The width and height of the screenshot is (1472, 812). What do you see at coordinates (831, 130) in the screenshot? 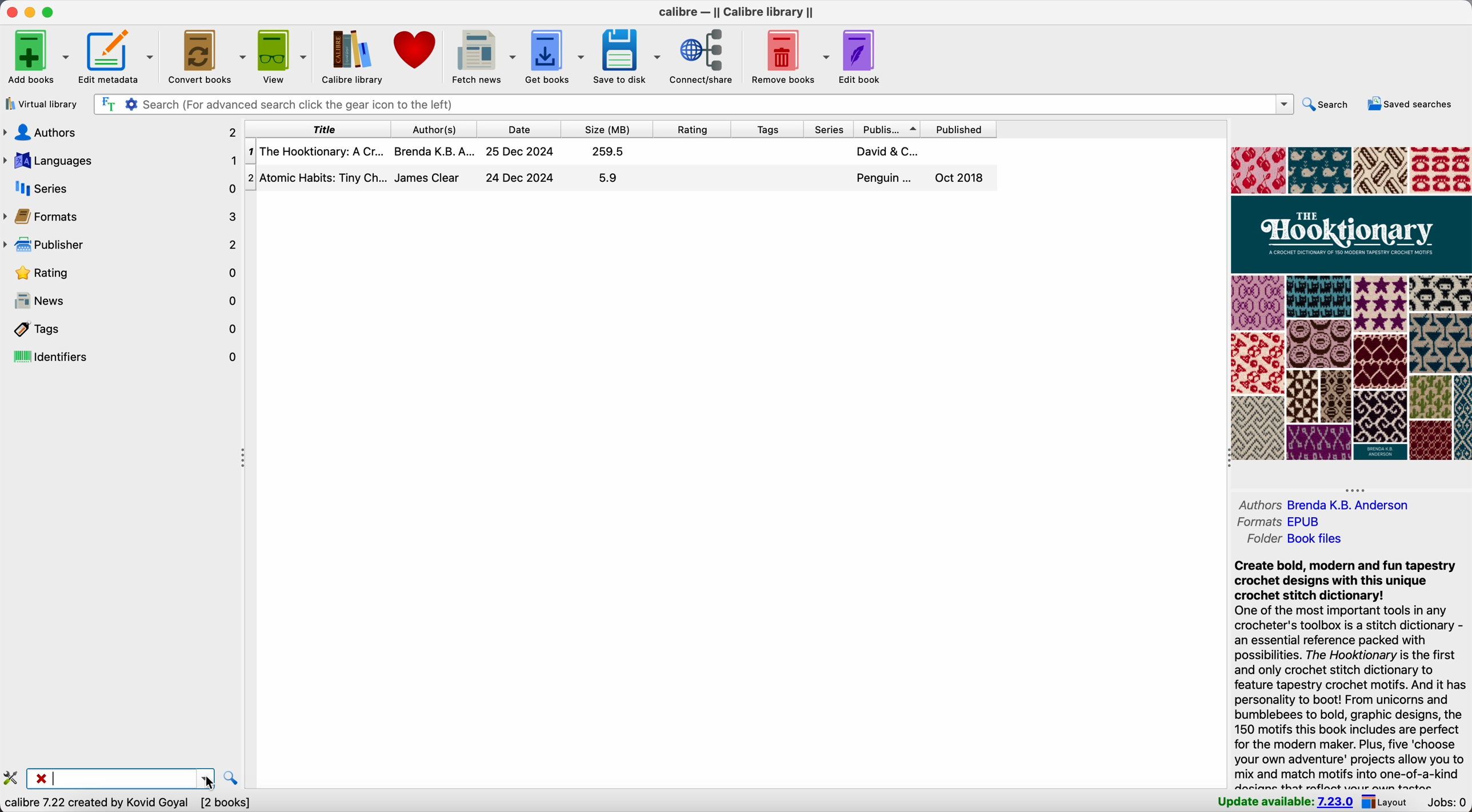
I see `series` at bounding box center [831, 130].